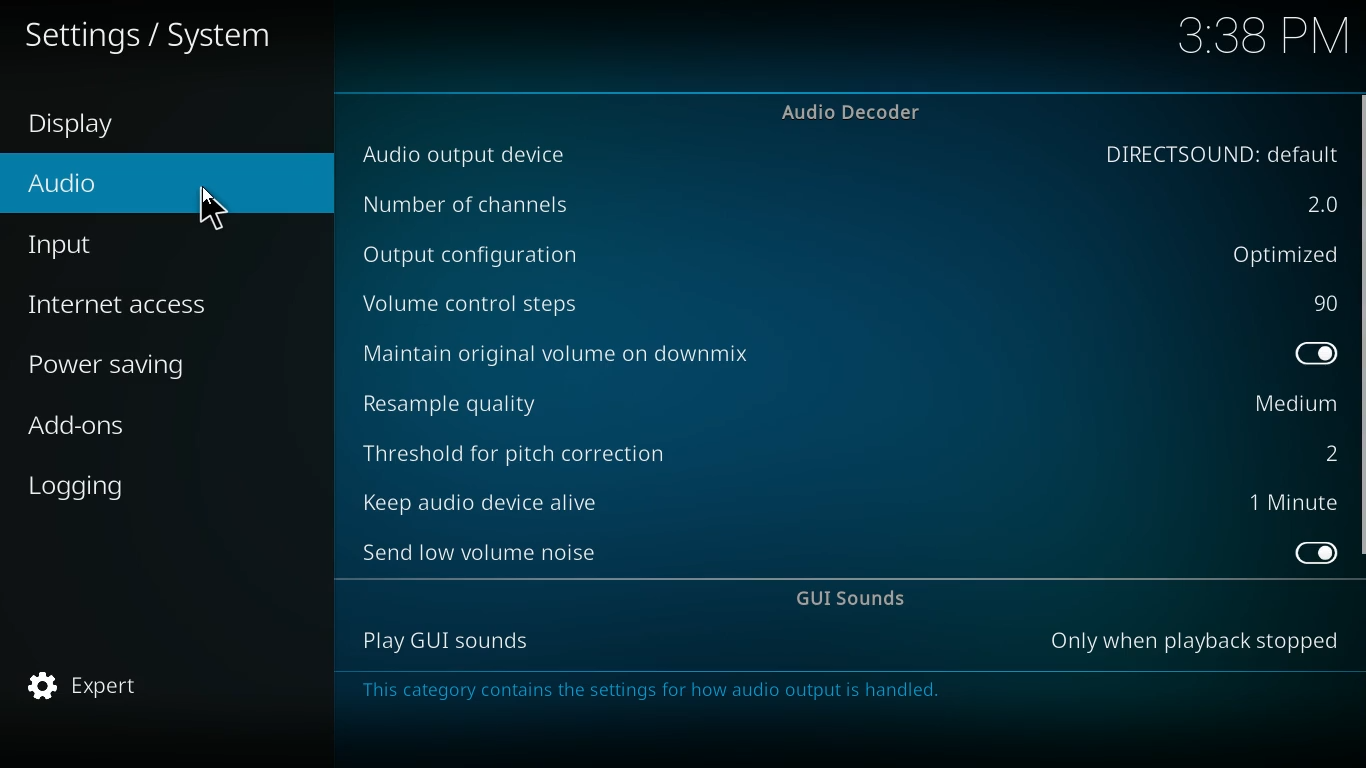 This screenshot has width=1366, height=768. Describe the element at coordinates (439, 641) in the screenshot. I see `play gui sounds` at that location.